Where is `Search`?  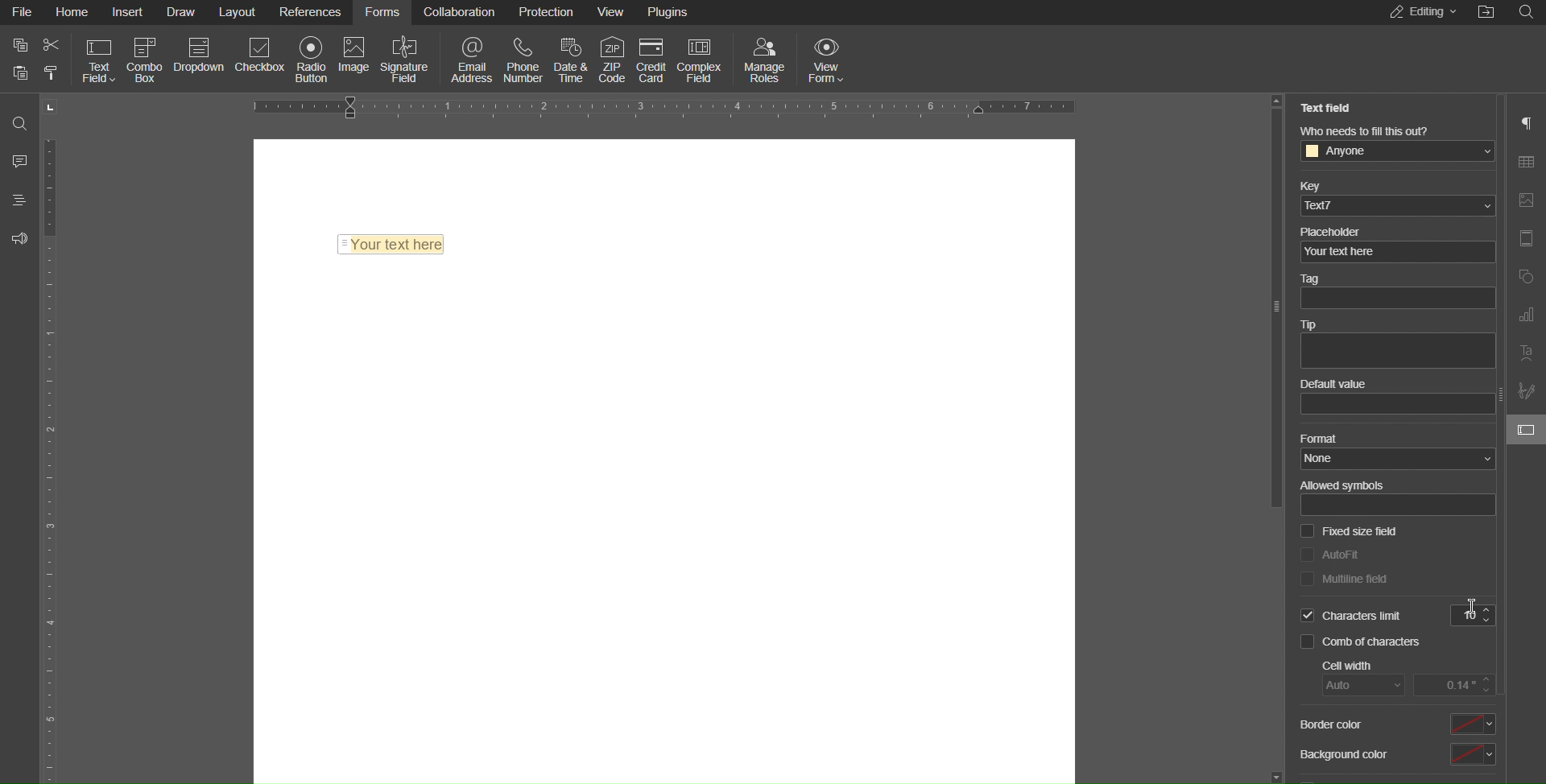
Search is located at coordinates (1530, 12).